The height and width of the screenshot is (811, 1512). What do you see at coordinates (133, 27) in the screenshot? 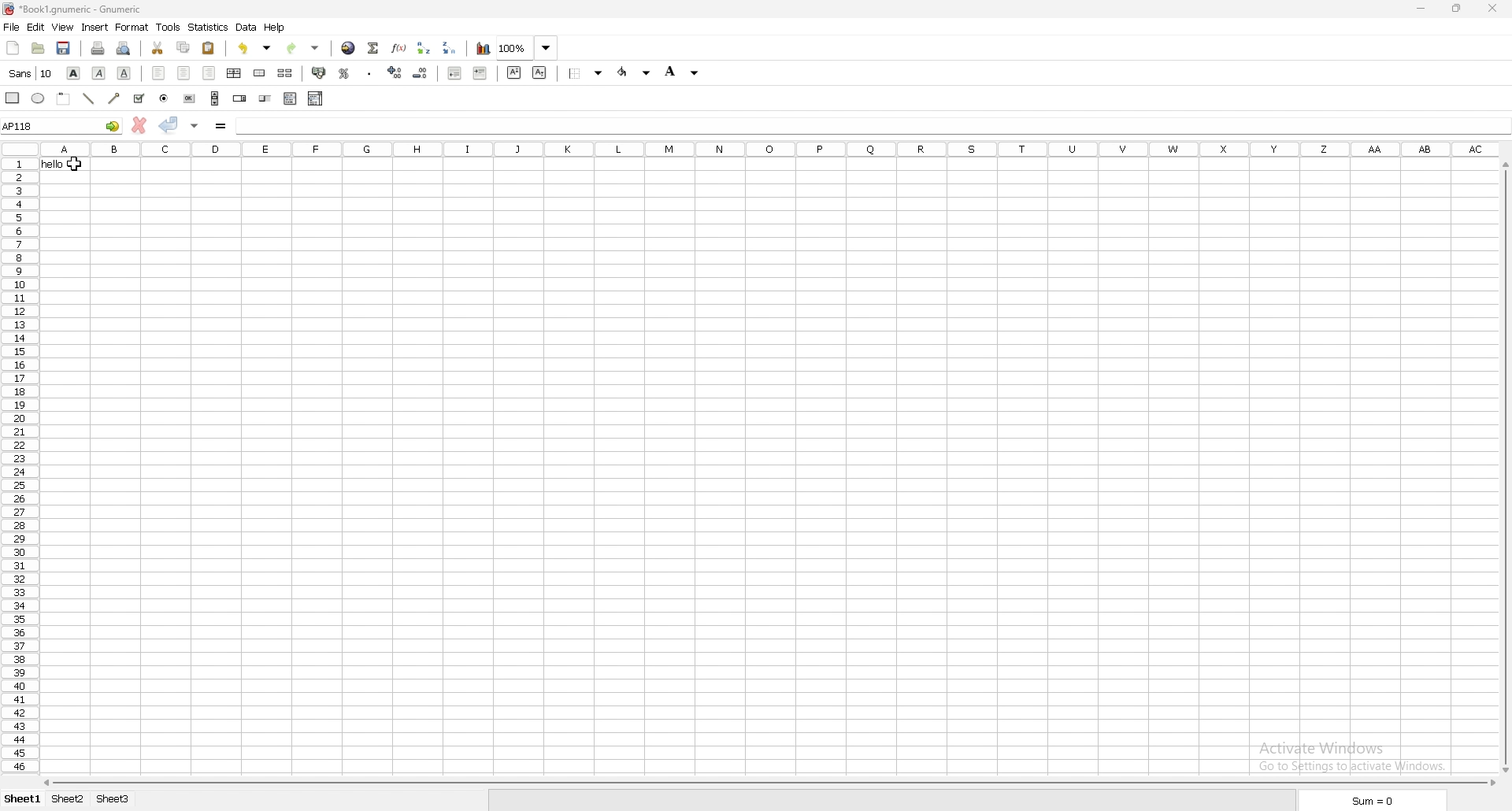
I see `format` at bounding box center [133, 27].